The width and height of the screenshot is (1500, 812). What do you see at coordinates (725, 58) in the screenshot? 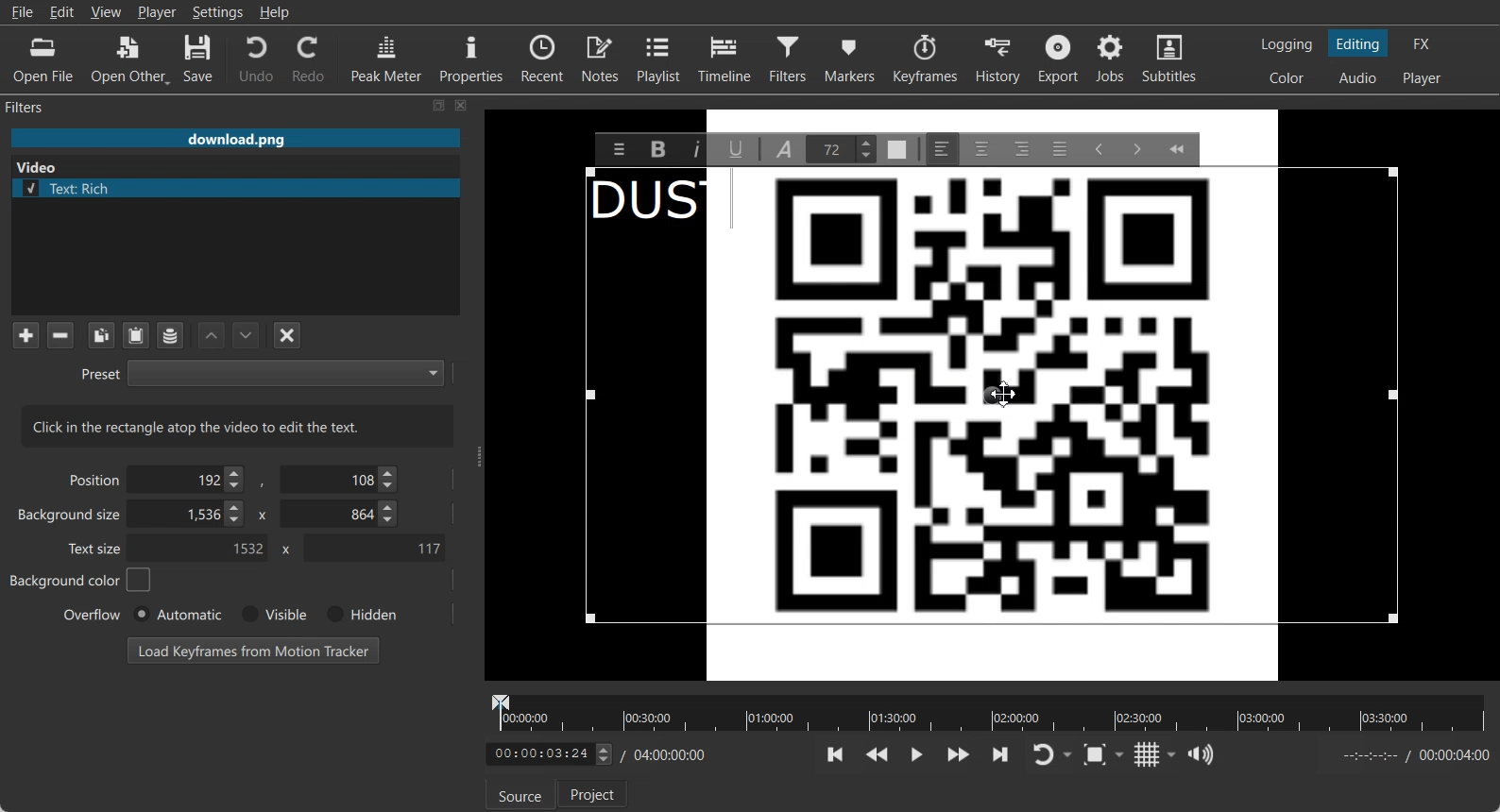
I see `Timeline` at bounding box center [725, 58].